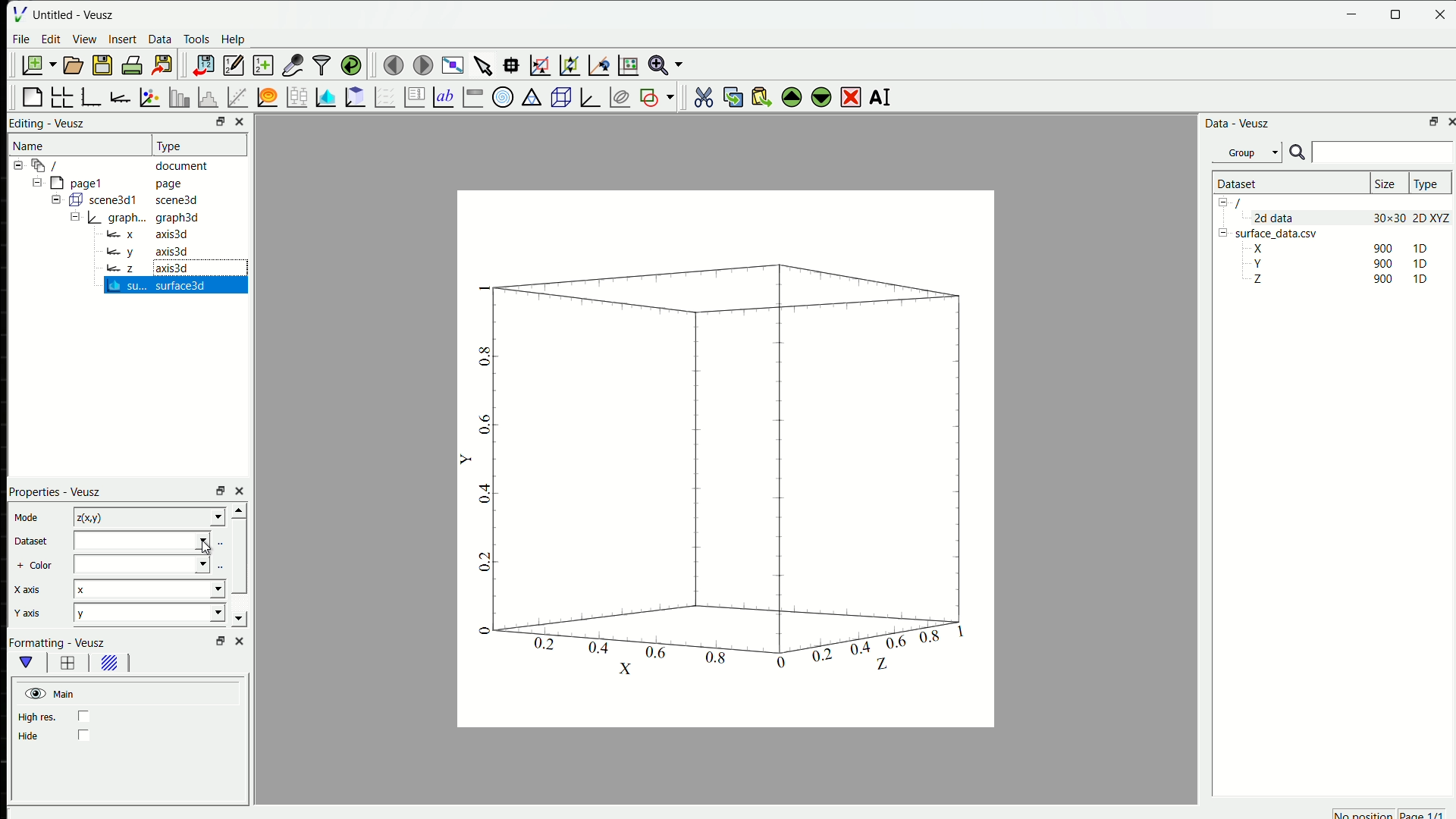 The height and width of the screenshot is (819, 1456). What do you see at coordinates (127, 286) in the screenshot?
I see `su...` at bounding box center [127, 286].